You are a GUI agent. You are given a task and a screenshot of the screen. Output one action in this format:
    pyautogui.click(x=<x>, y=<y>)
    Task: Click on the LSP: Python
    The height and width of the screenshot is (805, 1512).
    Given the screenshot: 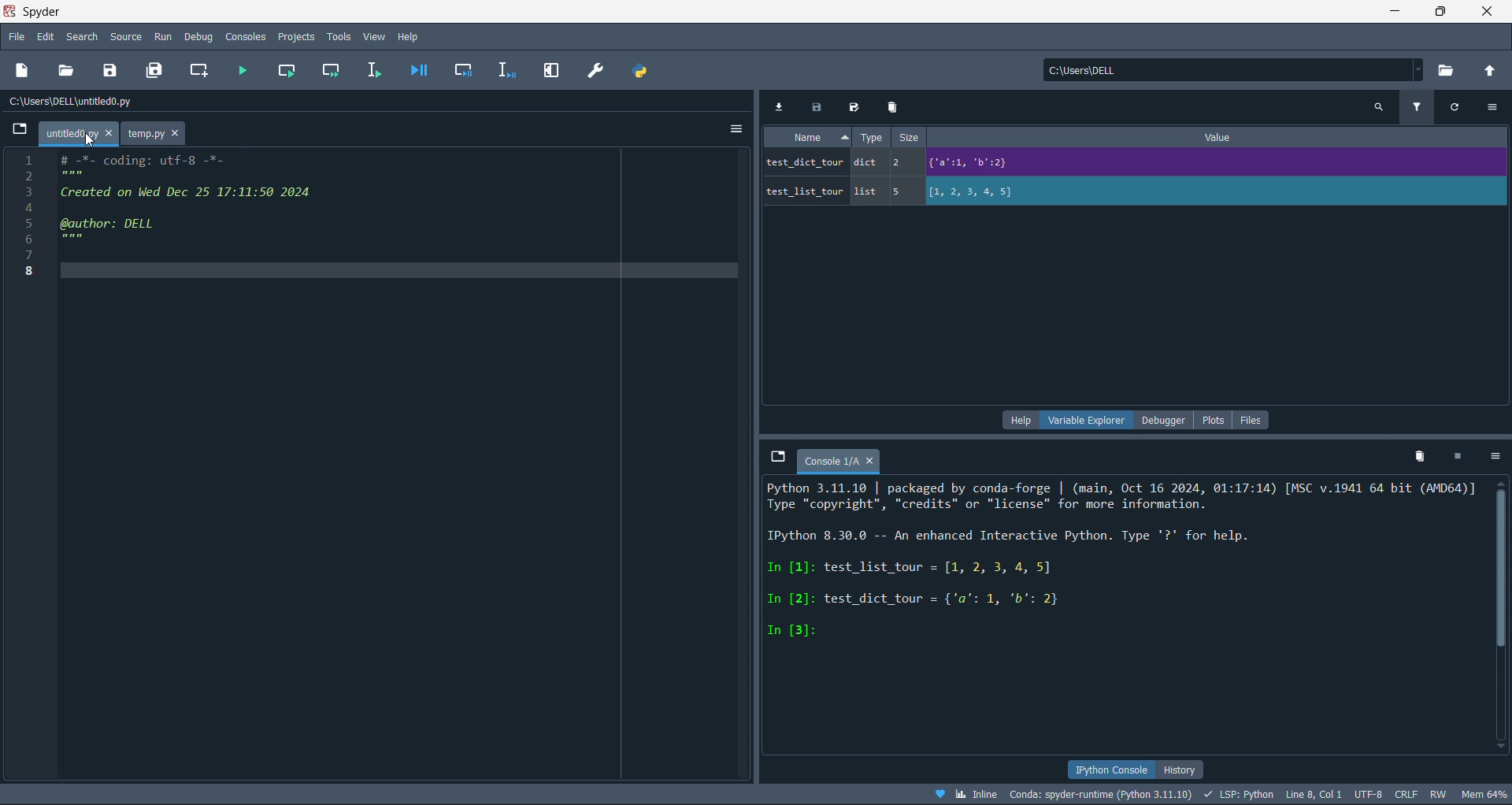 What is the action you would take?
    pyautogui.click(x=1240, y=796)
    